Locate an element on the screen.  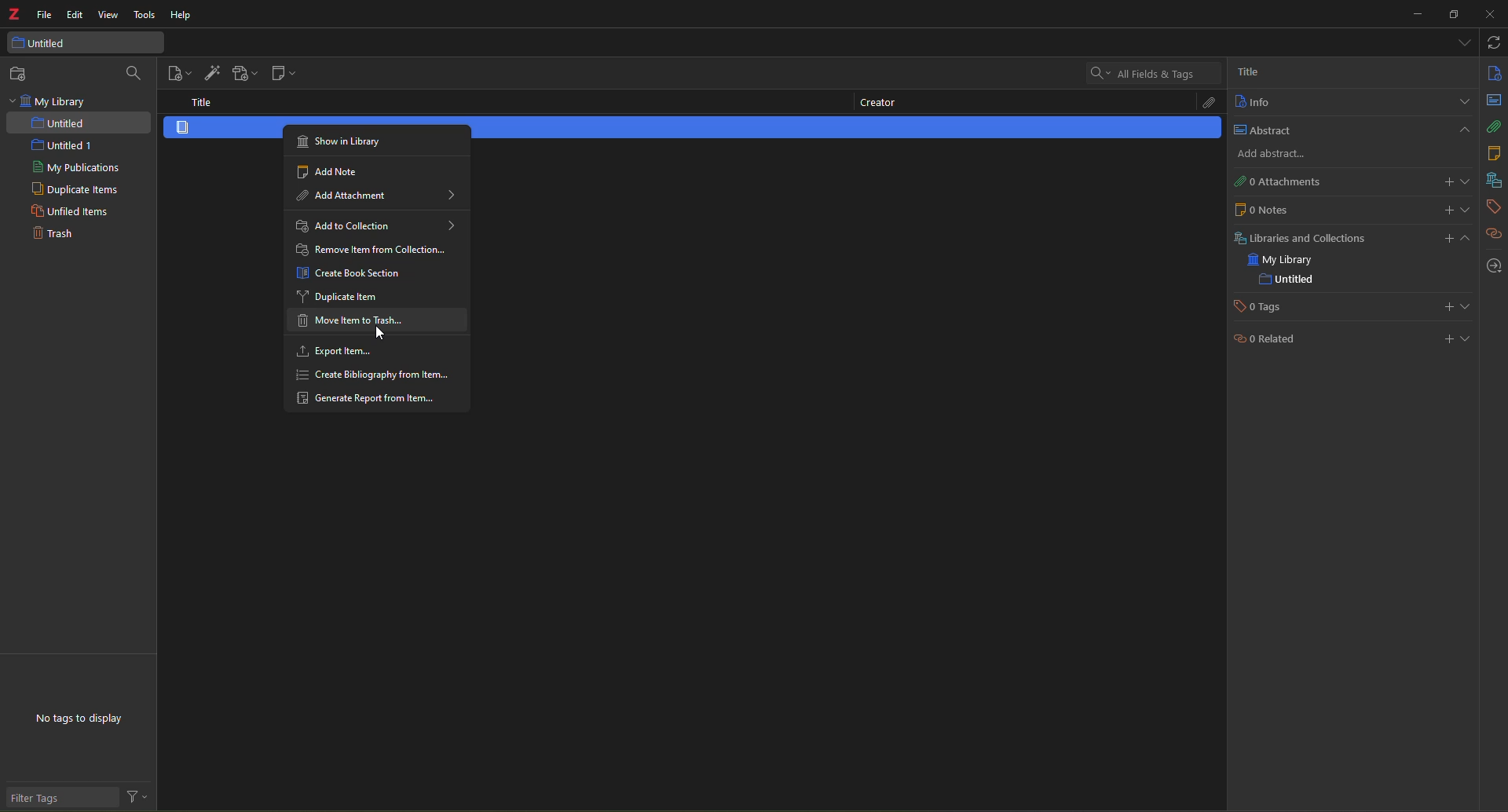
new item is located at coordinates (180, 73).